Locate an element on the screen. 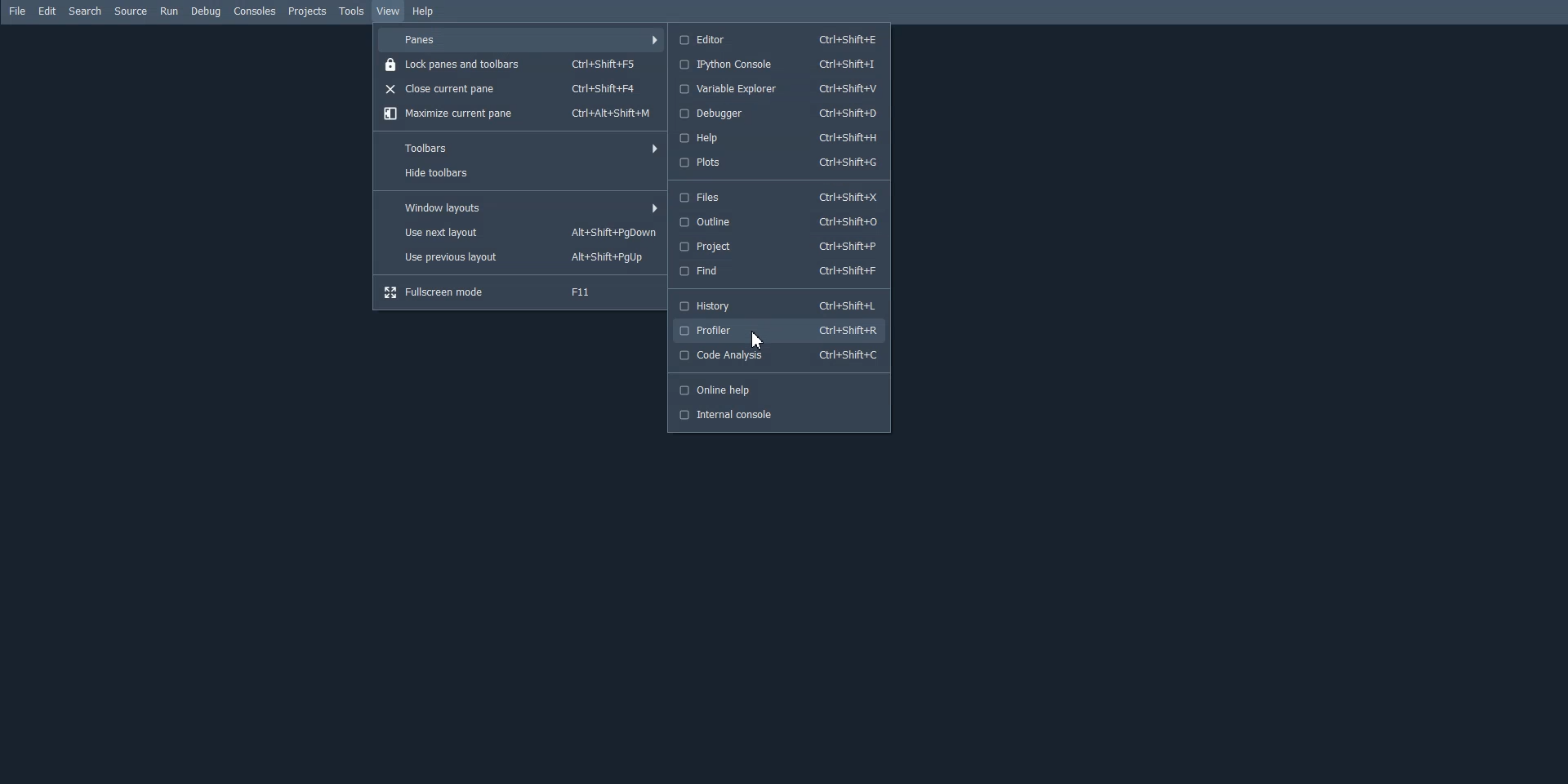 The height and width of the screenshot is (784, 1568). Outline is located at coordinates (776, 220).